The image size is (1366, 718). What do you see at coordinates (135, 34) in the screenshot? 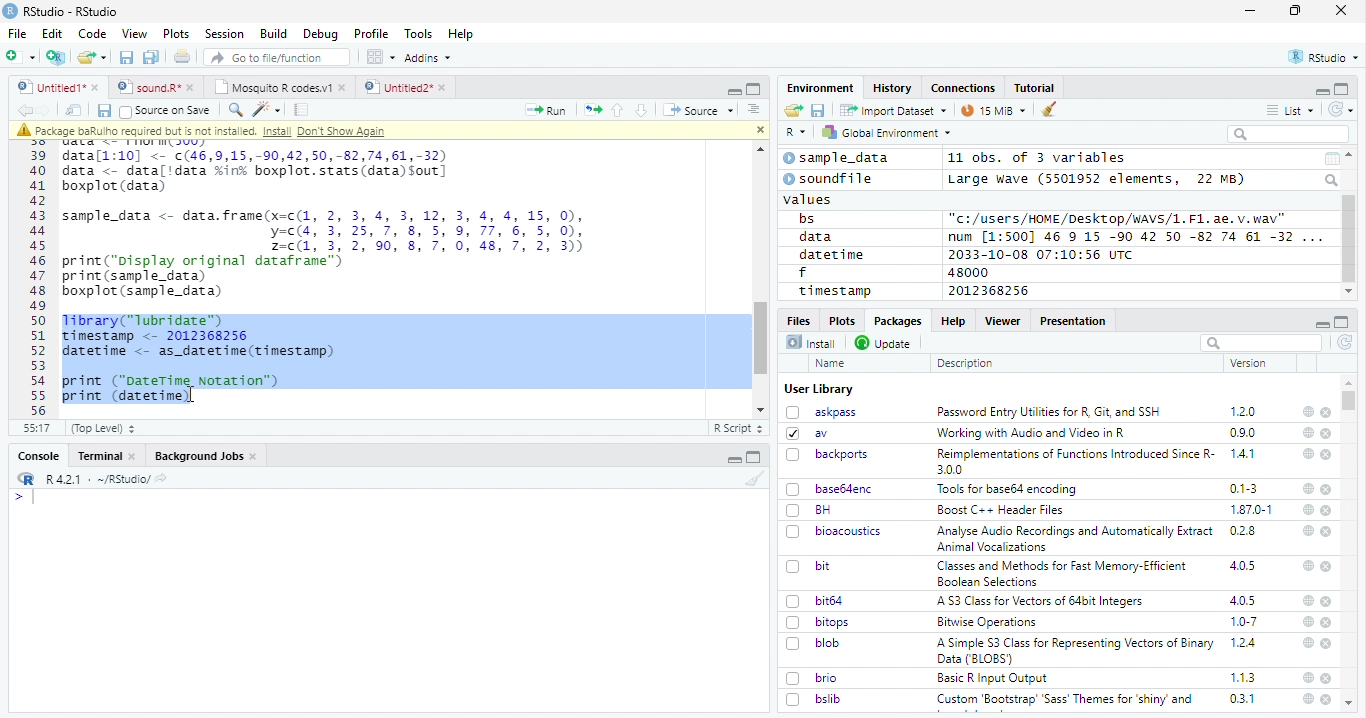
I see `View` at bounding box center [135, 34].